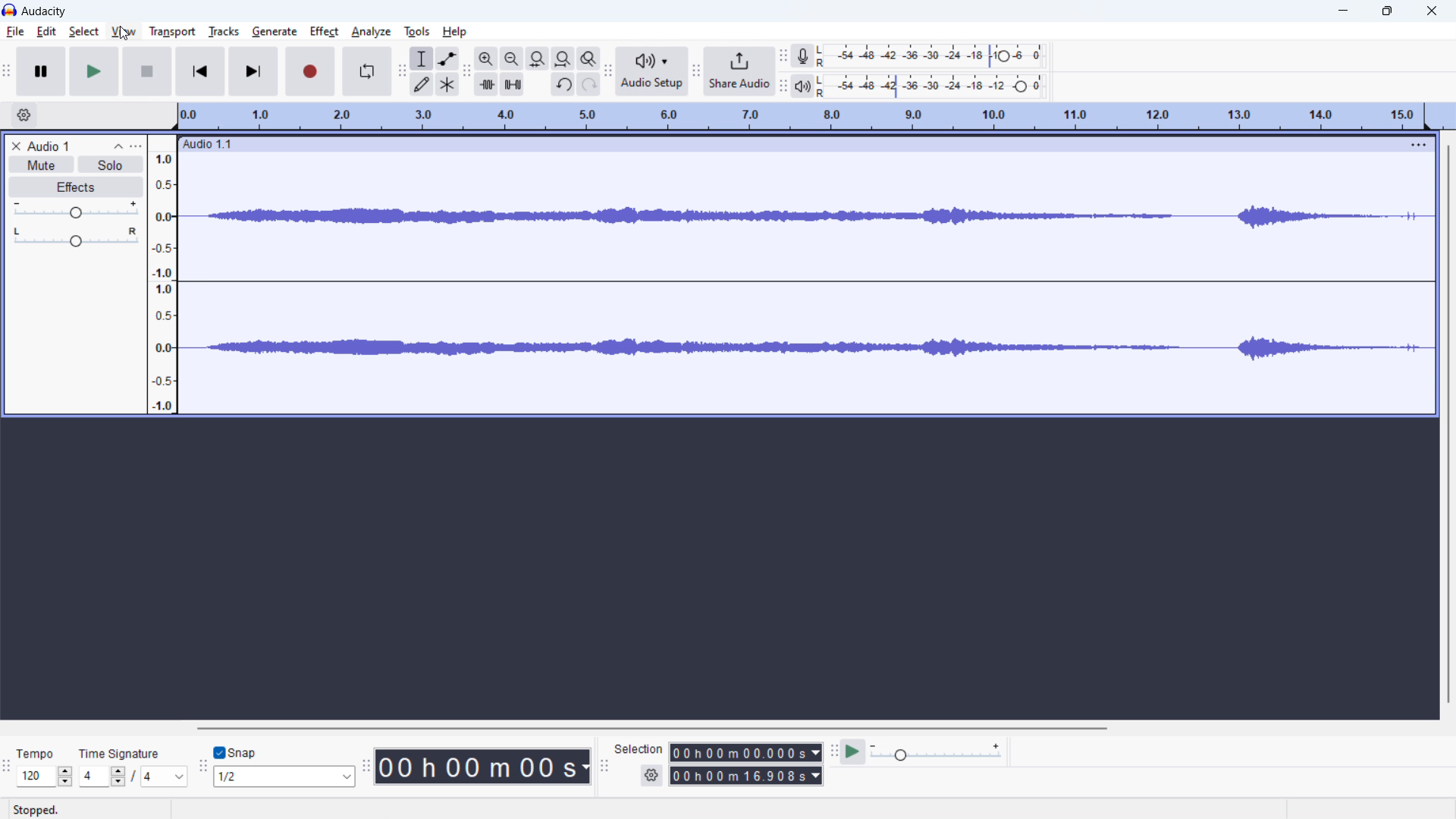  Describe the element at coordinates (45, 777) in the screenshot. I see `select tempo` at that location.